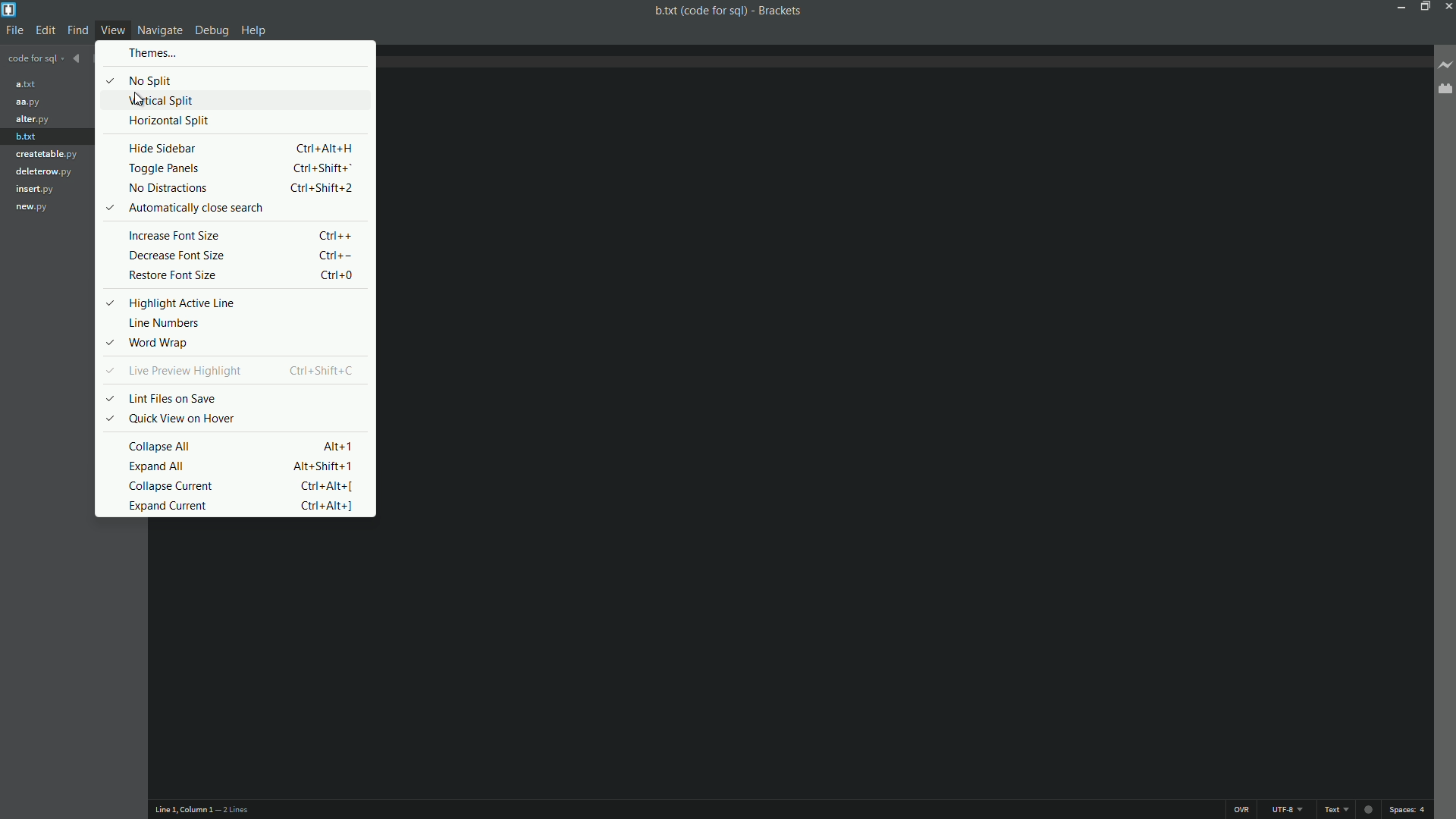  Describe the element at coordinates (779, 9) in the screenshot. I see `App name` at that location.